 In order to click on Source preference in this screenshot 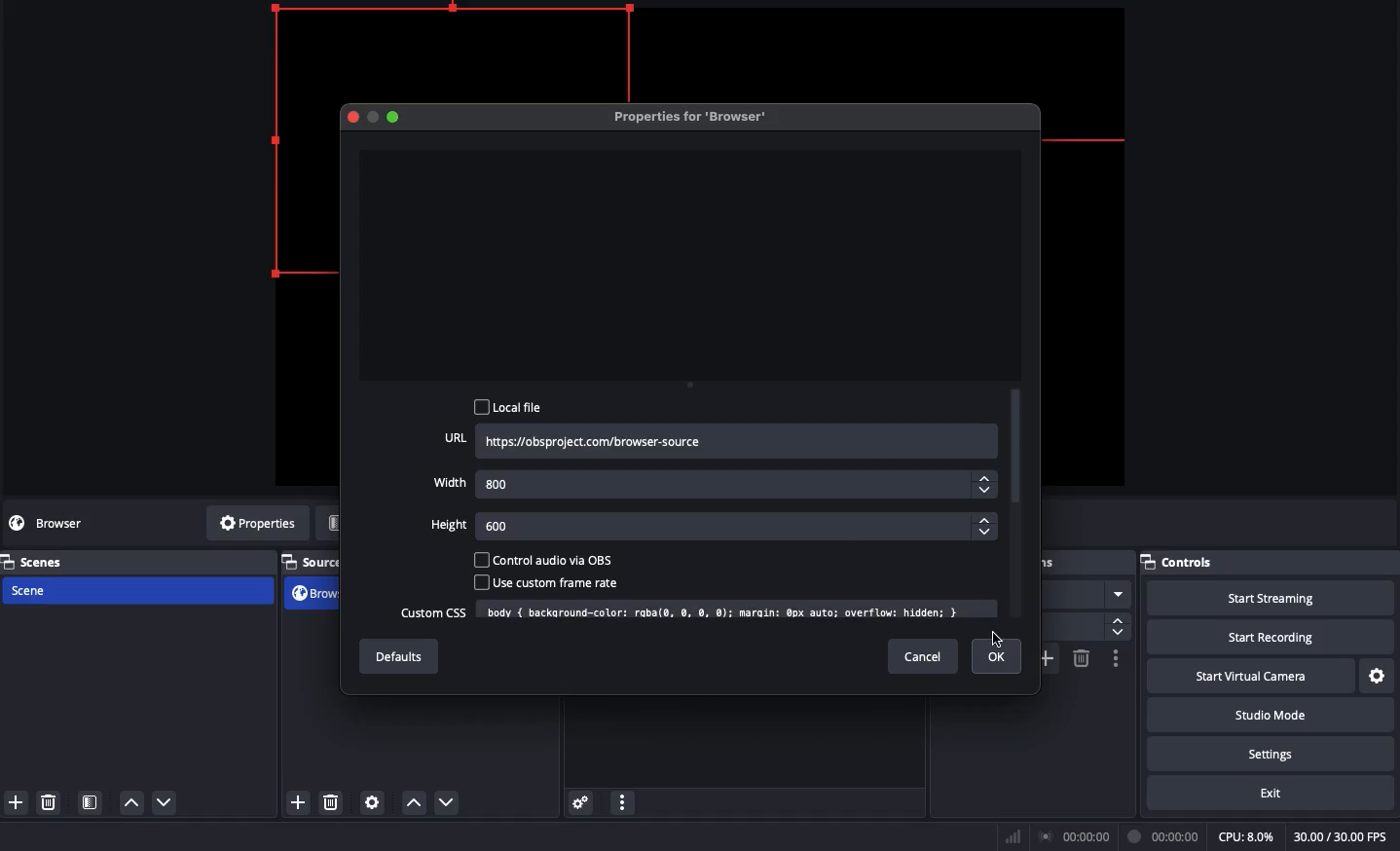, I will do `click(373, 801)`.